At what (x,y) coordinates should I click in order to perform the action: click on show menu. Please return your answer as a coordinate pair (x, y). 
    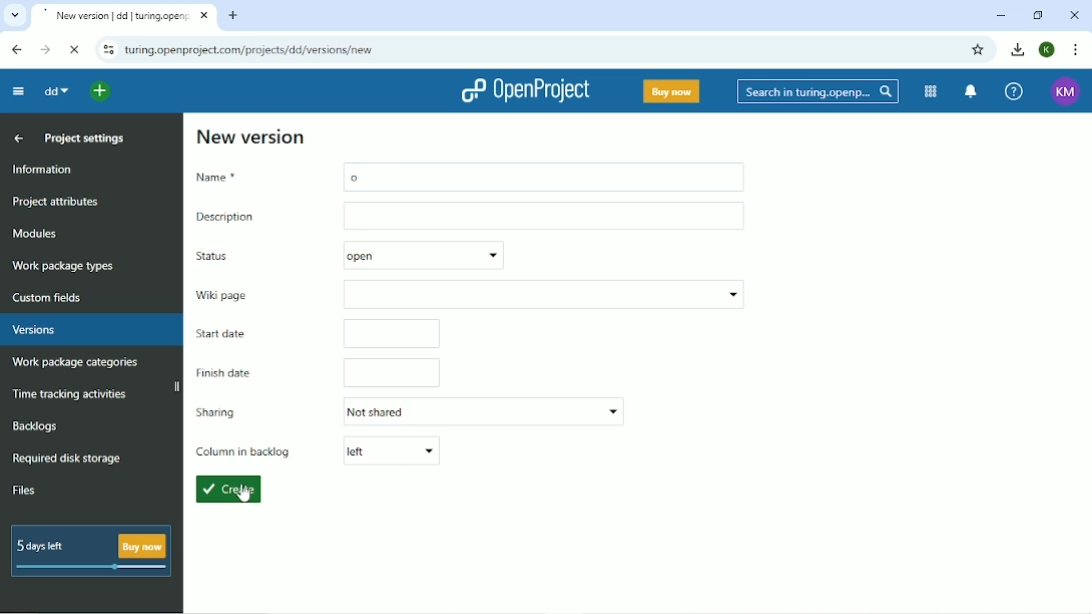
    Looking at the image, I should click on (502, 251).